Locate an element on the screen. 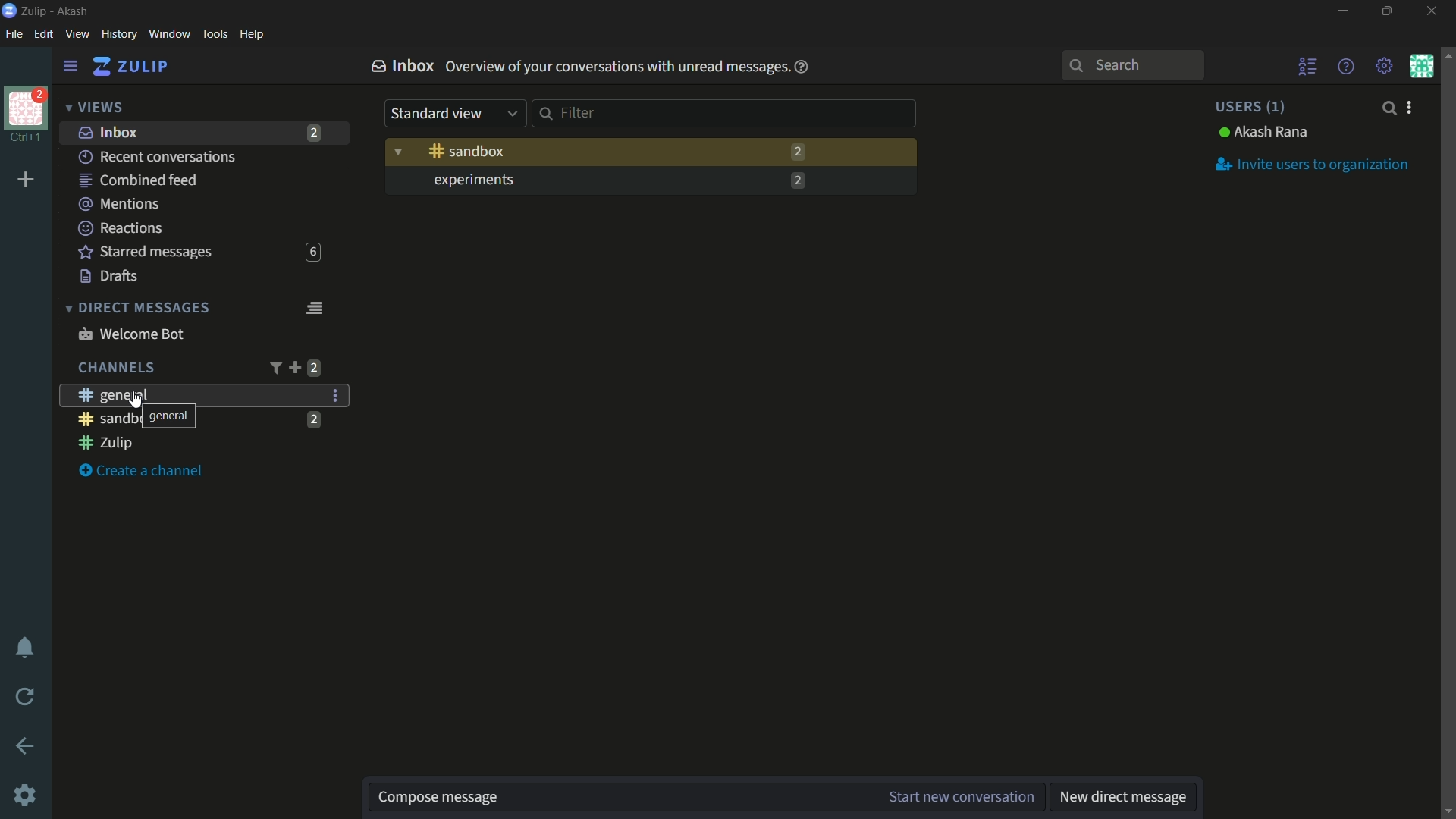  tools menu is located at coordinates (214, 34).